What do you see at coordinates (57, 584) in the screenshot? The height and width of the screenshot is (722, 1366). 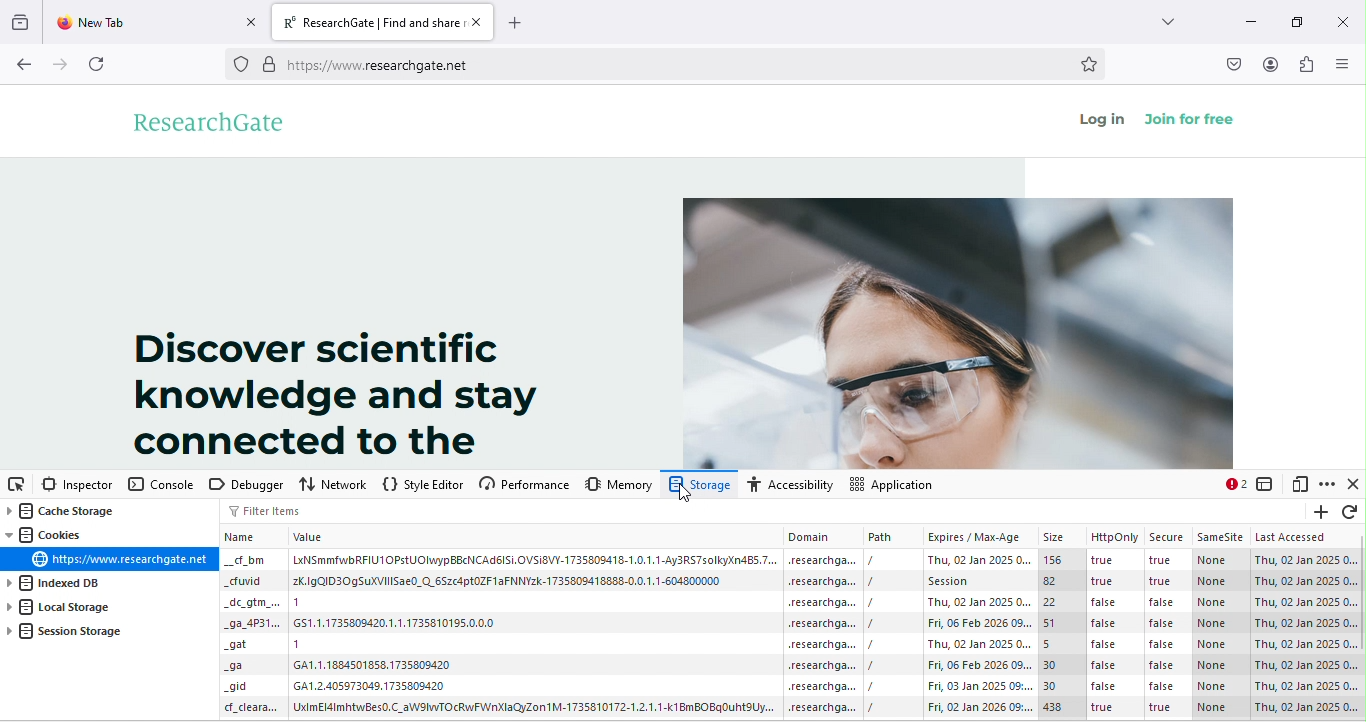 I see `indexed dB` at bounding box center [57, 584].